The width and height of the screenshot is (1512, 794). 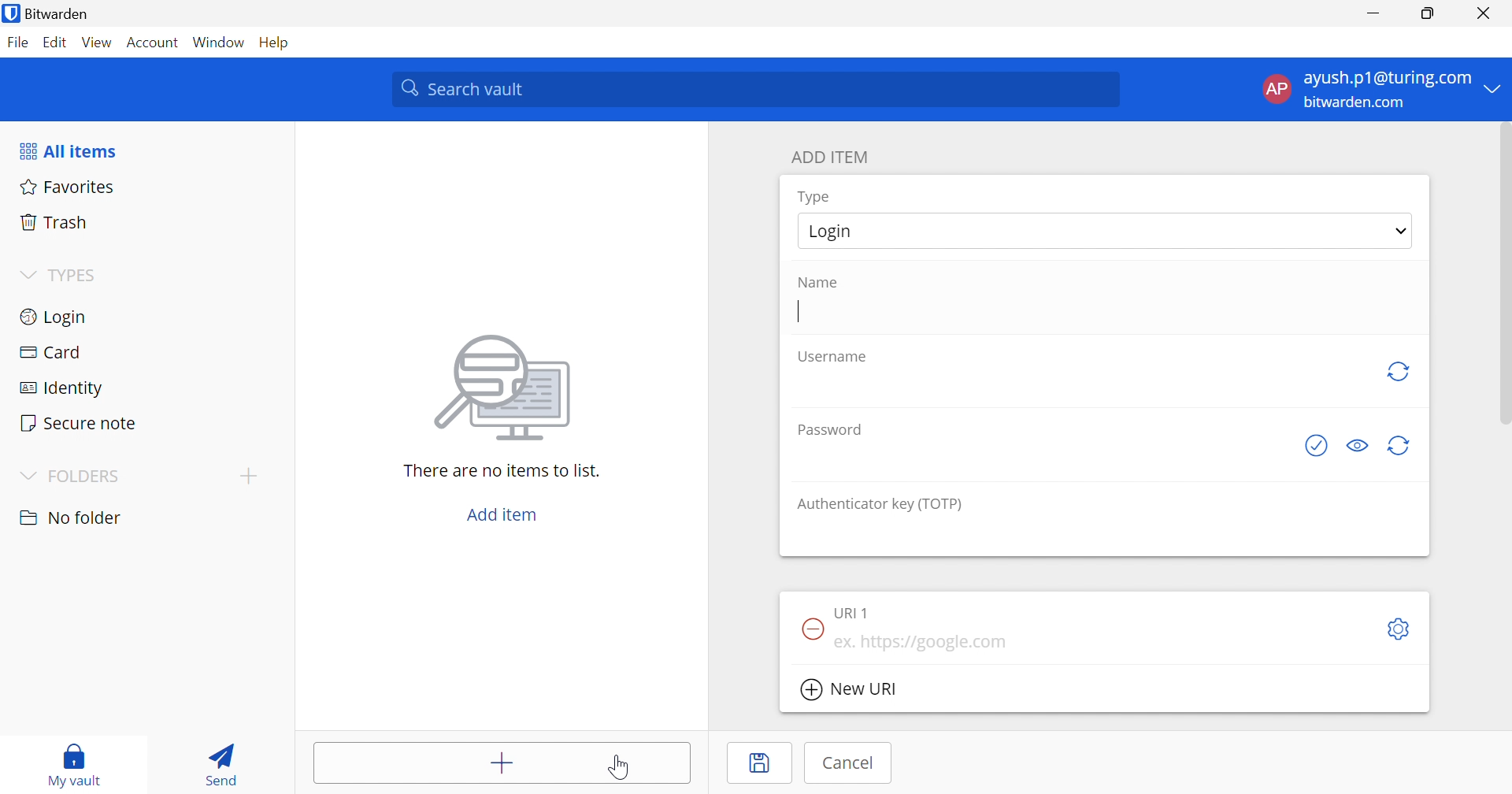 I want to click on Login, so click(x=55, y=315).